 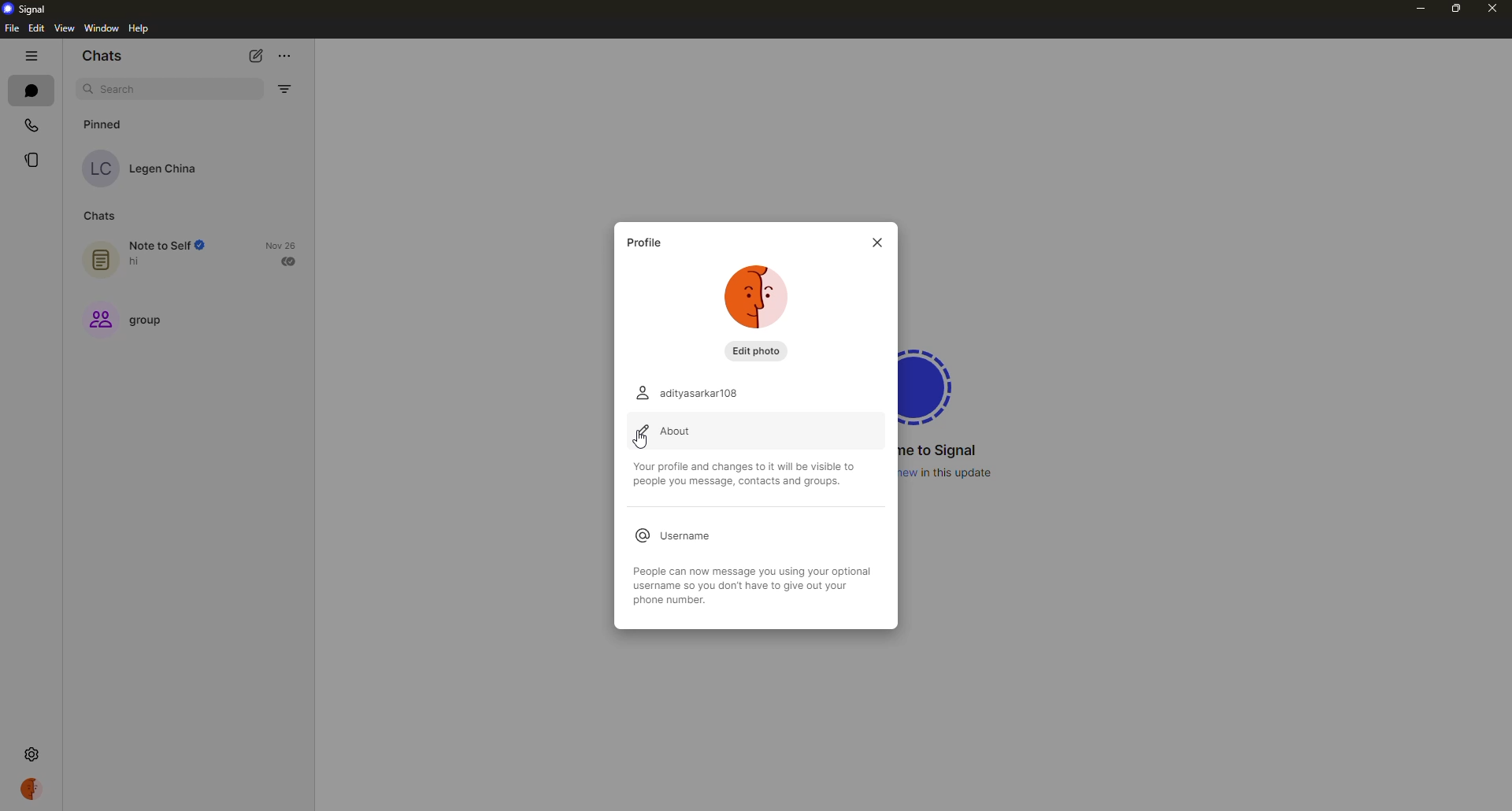 I want to click on note to self, so click(x=150, y=254).